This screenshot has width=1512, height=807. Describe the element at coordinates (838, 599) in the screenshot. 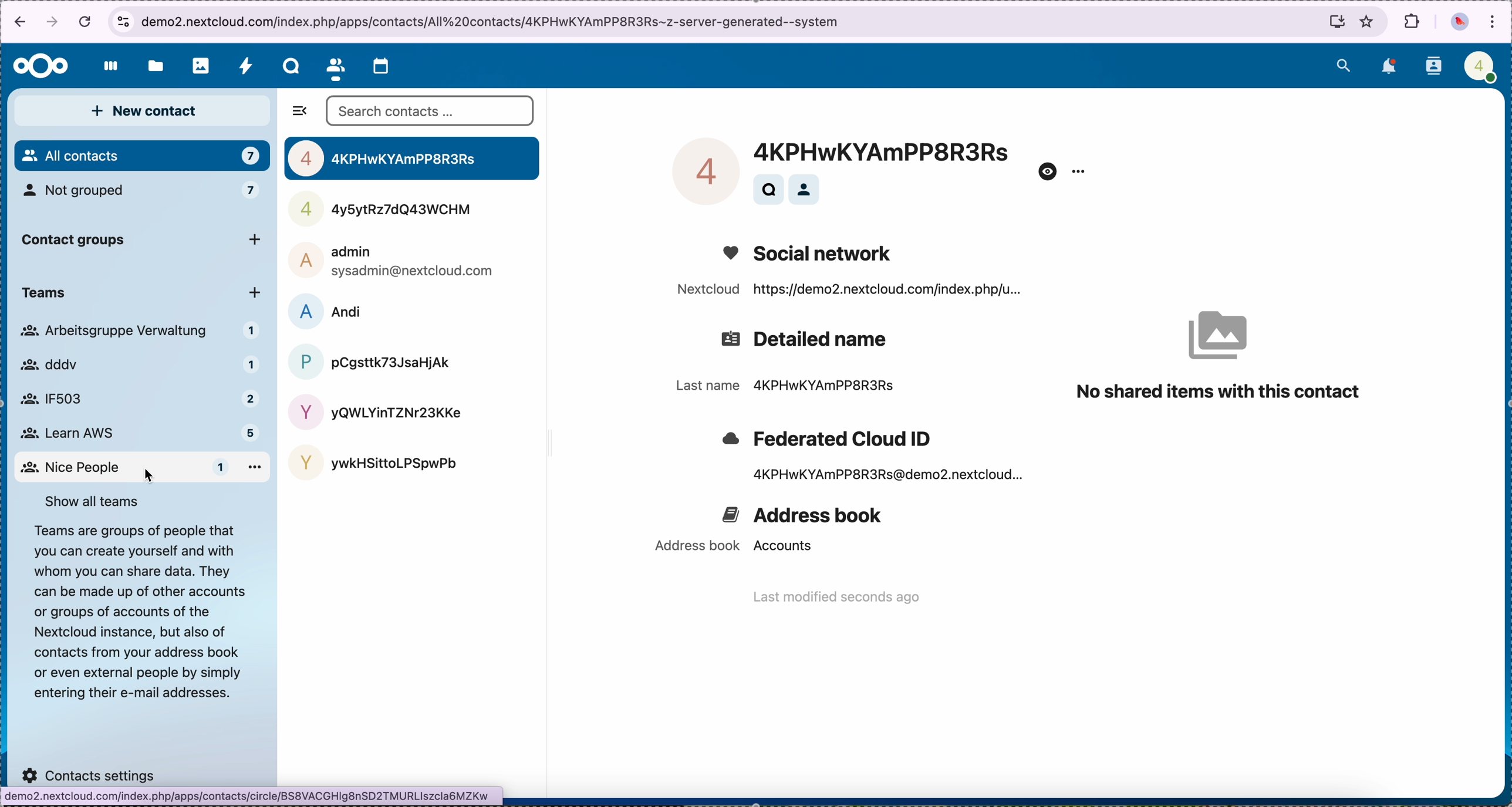

I see `last modified seconds ago` at that location.